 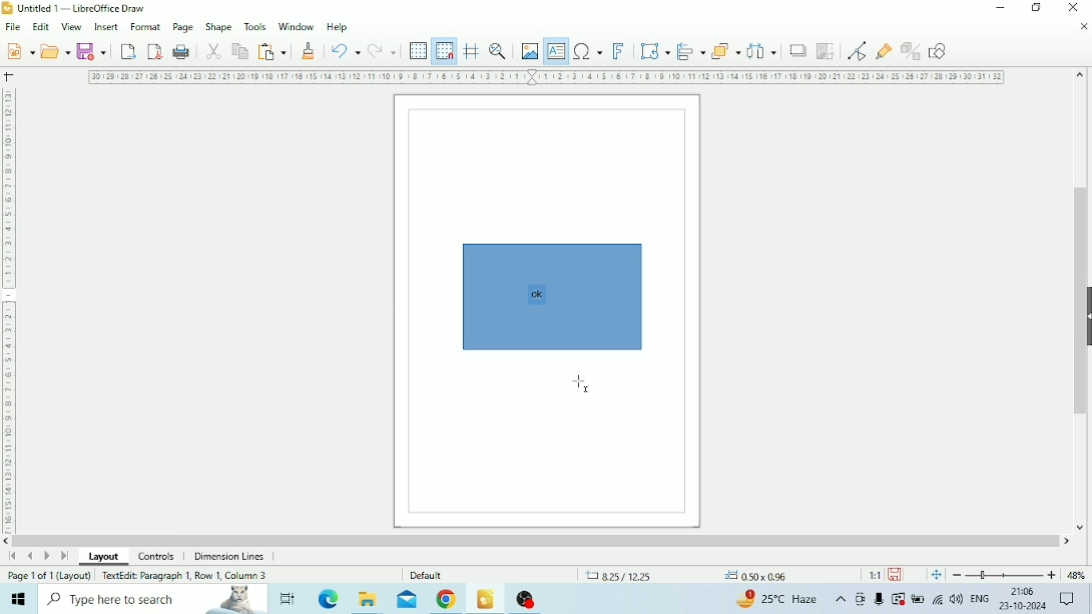 What do you see at coordinates (8, 8) in the screenshot?
I see `Logo` at bounding box center [8, 8].